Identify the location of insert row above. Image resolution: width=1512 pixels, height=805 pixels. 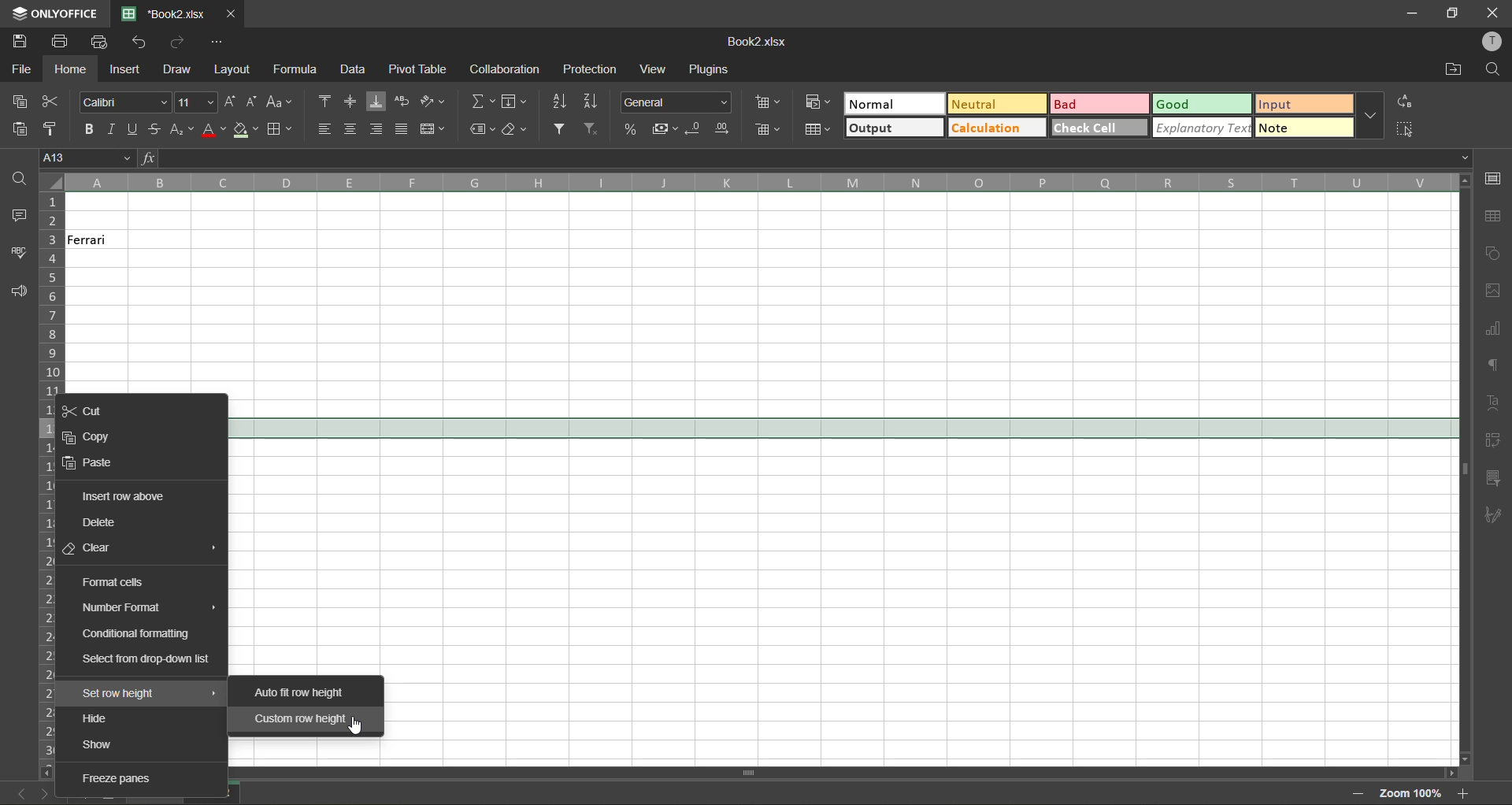
(123, 495).